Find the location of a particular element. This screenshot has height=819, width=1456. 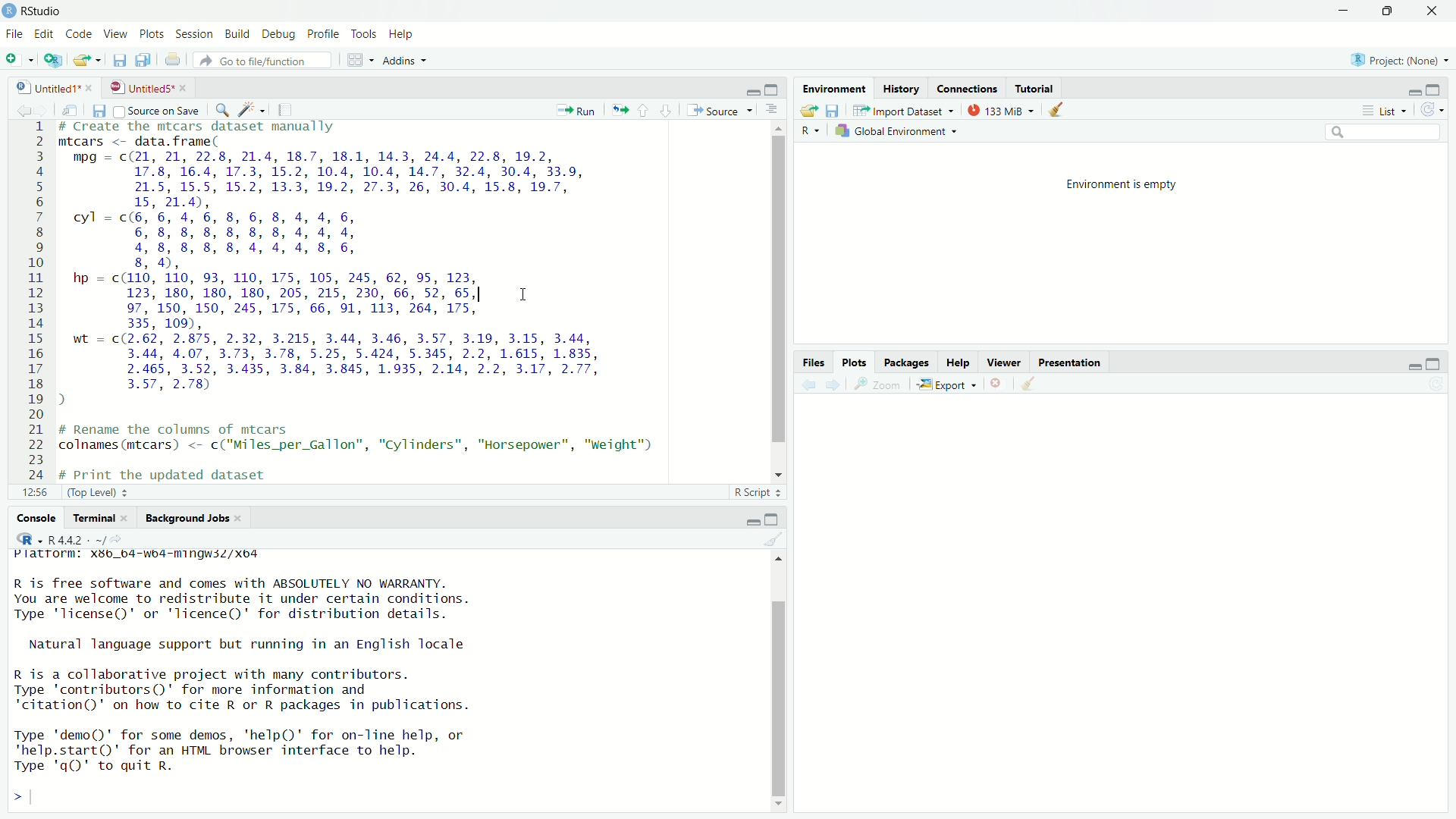

upward is located at coordinates (645, 108).